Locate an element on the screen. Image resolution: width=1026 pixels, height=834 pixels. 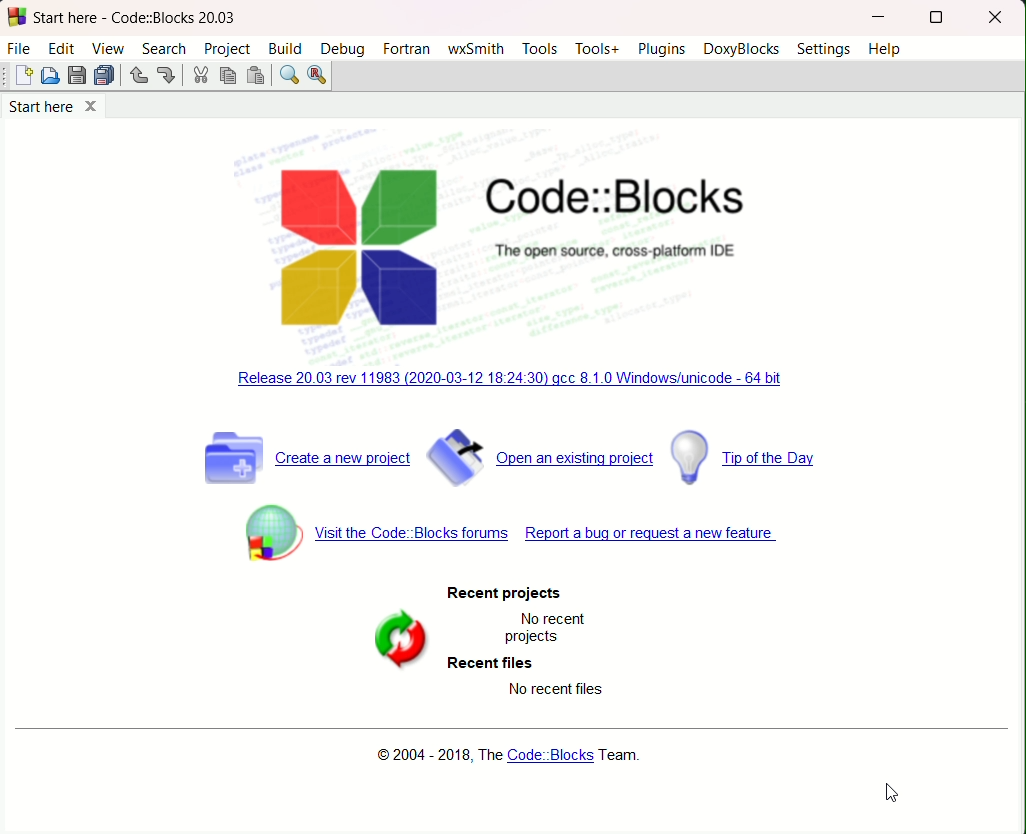
search is located at coordinates (165, 48).